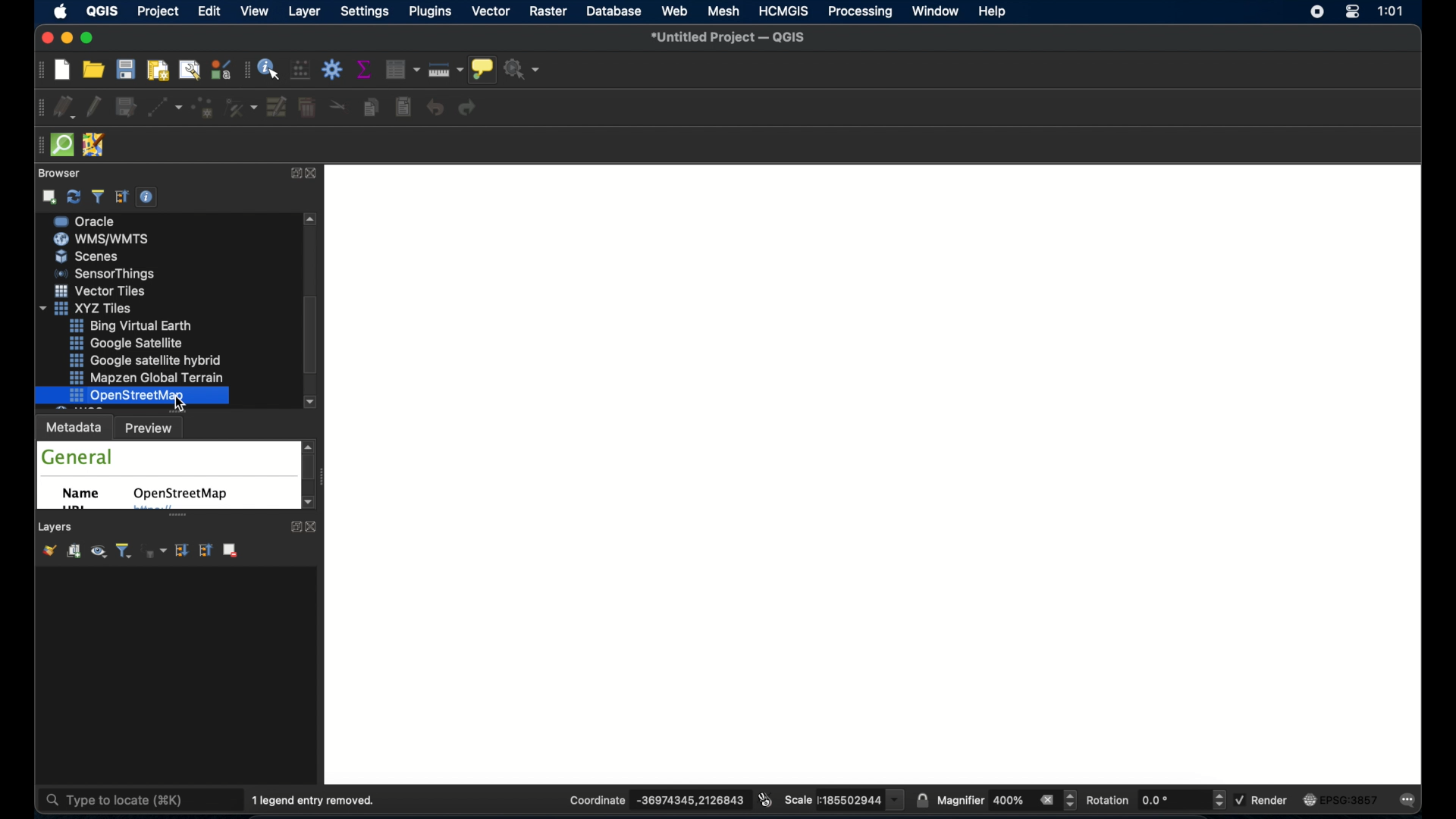  What do you see at coordinates (106, 238) in the screenshot?
I see `sap hana` at bounding box center [106, 238].